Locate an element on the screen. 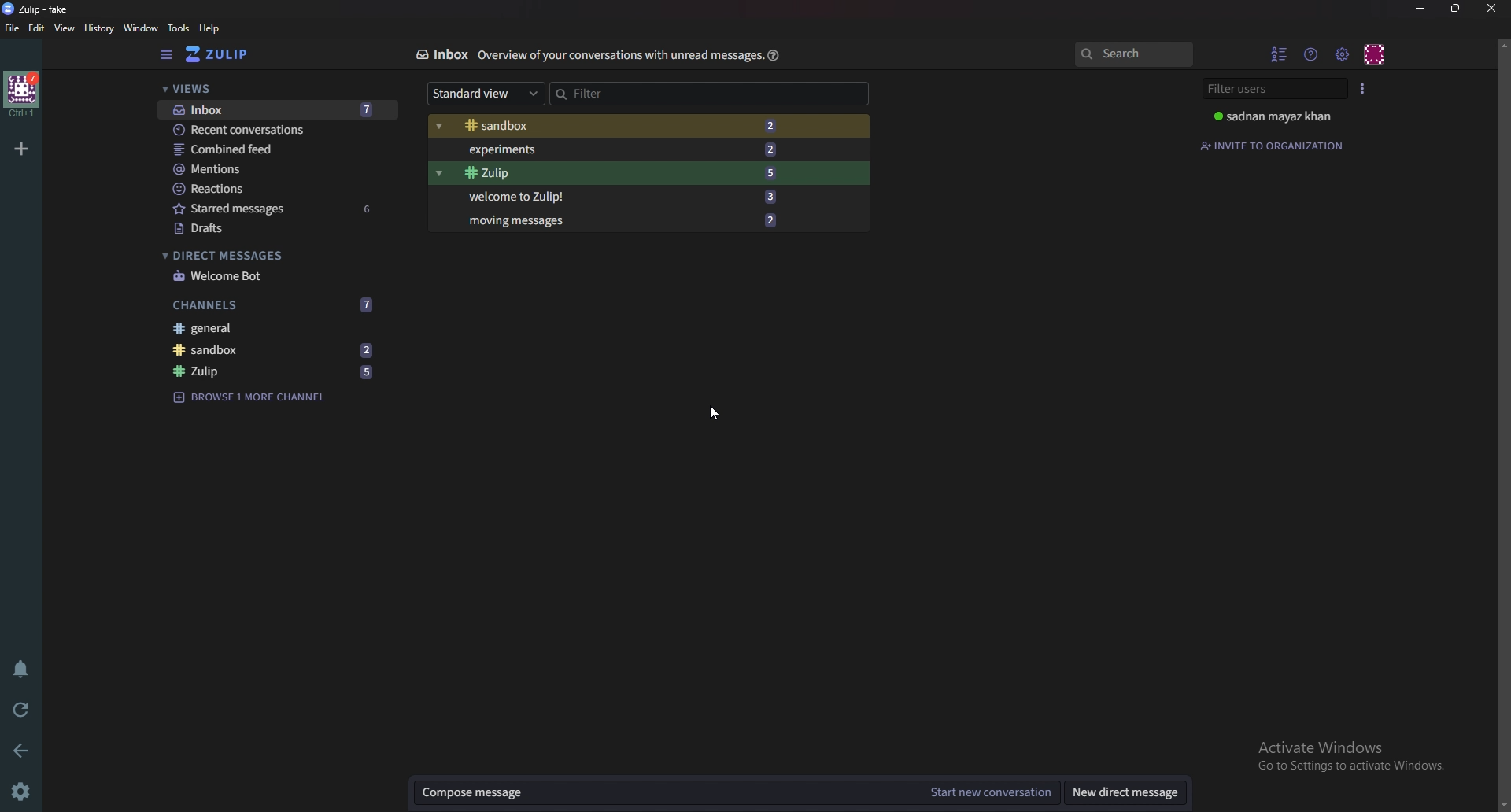 The image size is (1511, 812). Tools is located at coordinates (178, 28).